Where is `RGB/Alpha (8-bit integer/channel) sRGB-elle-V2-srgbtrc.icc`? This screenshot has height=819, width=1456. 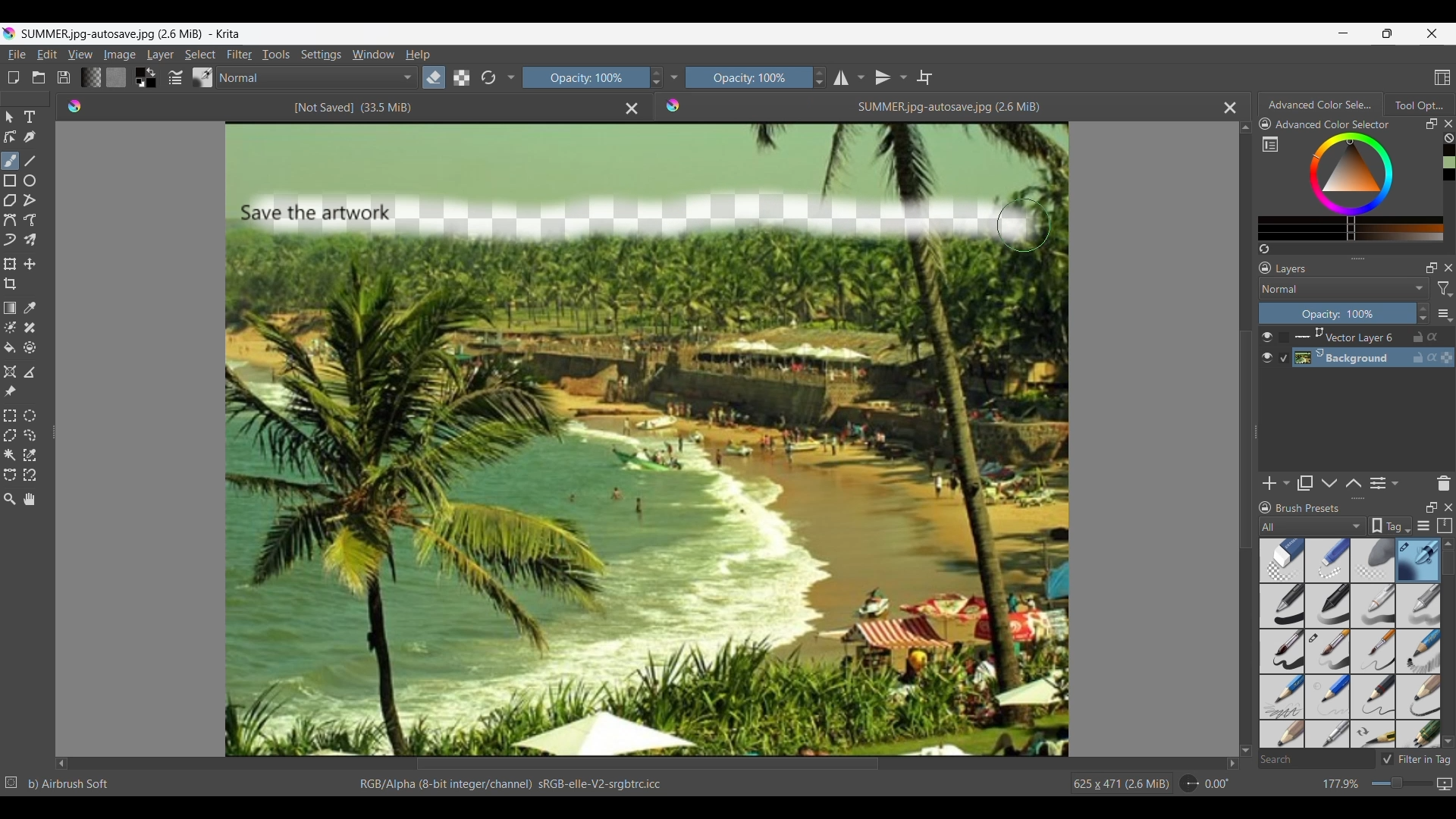
RGB/Alpha (8-bit integer/channel) sRGB-elle-V2-srgbtrc.icc is located at coordinates (508, 785).